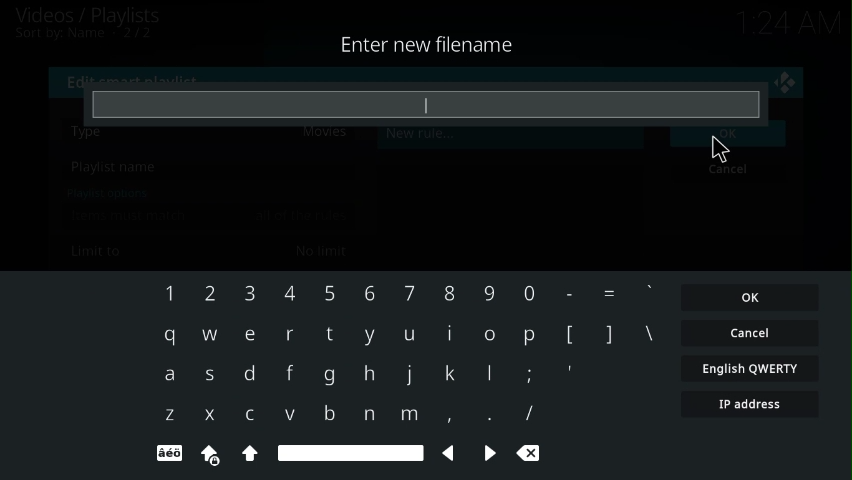 Image resolution: width=852 pixels, height=480 pixels. What do you see at coordinates (328, 376) in the screenshot?
I see `g` at bounding box center [328, 376].